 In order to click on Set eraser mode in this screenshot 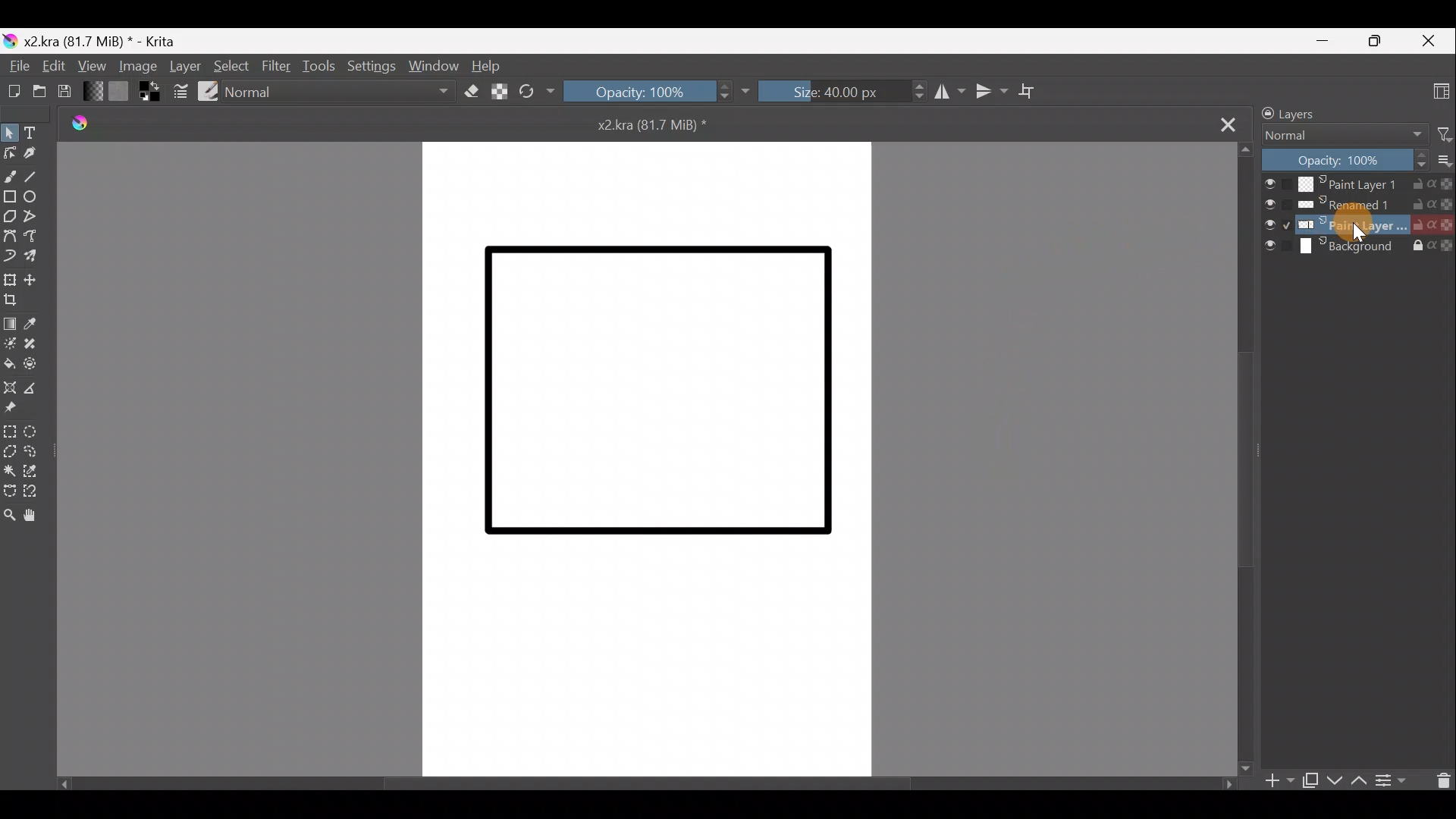, I will do `click(472, 90)`.